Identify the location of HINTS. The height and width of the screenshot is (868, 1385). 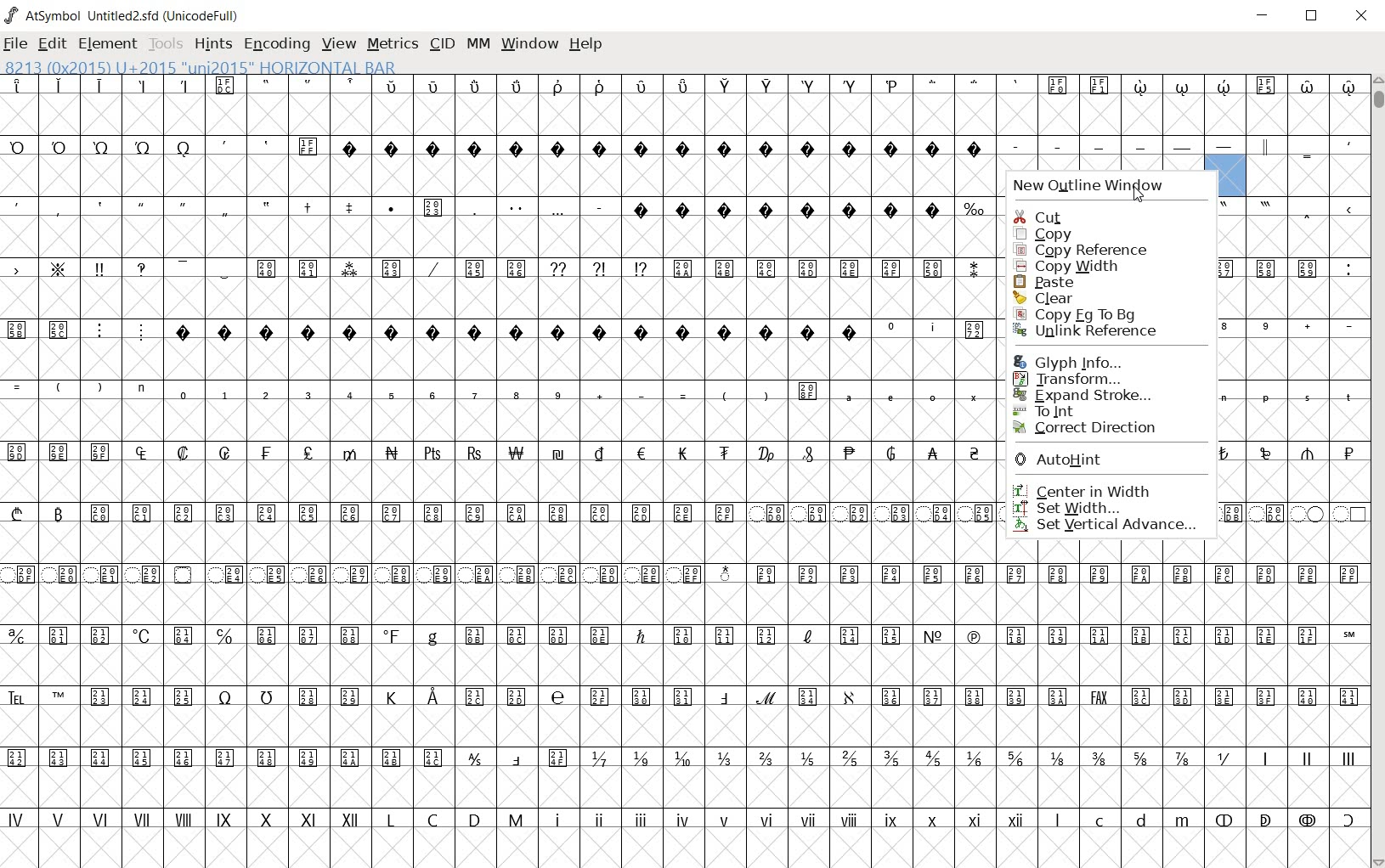
(215, 44).